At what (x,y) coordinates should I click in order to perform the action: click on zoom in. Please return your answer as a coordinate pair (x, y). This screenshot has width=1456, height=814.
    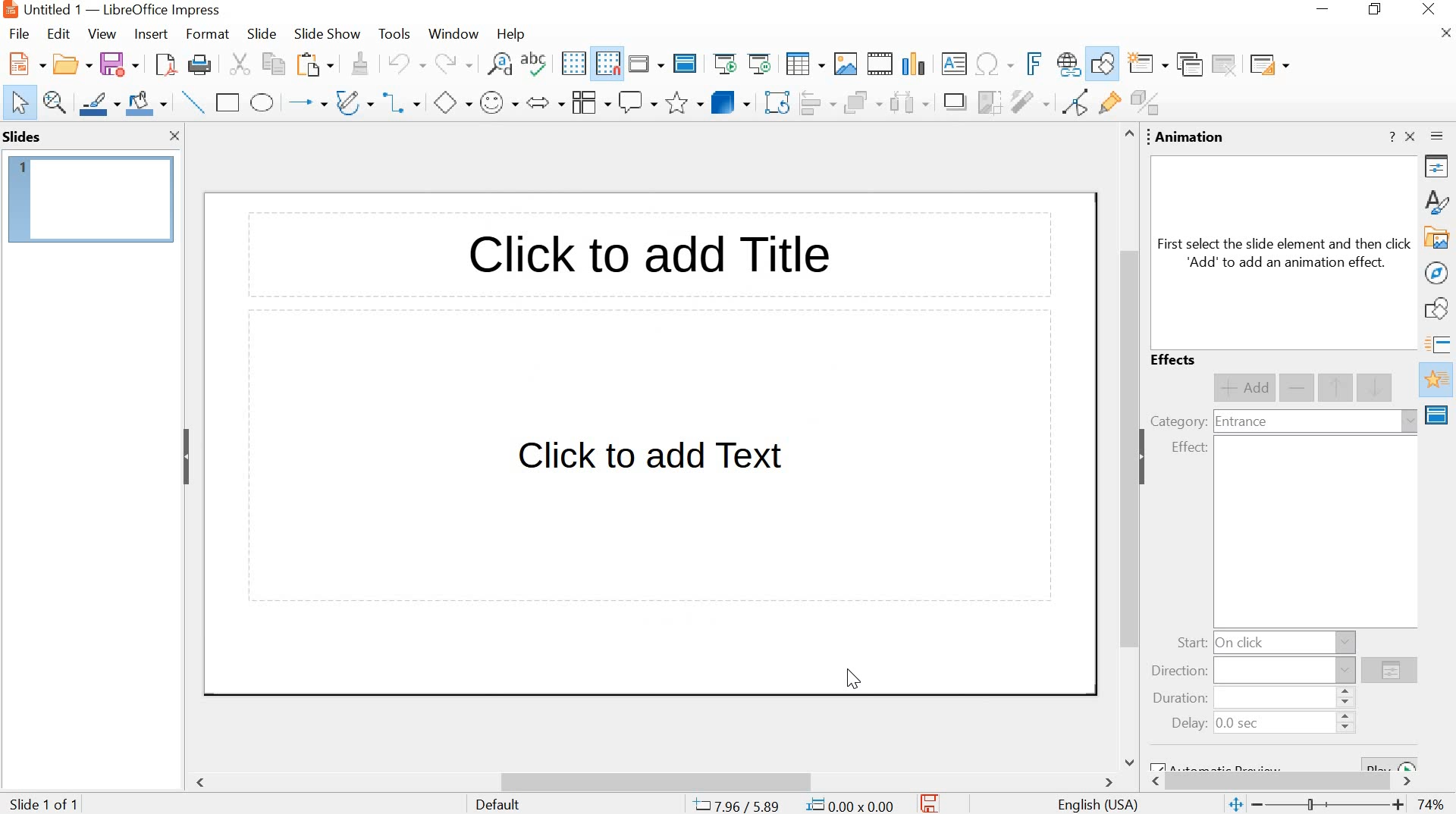
    Looking at the image, I should click on (1398, 806).